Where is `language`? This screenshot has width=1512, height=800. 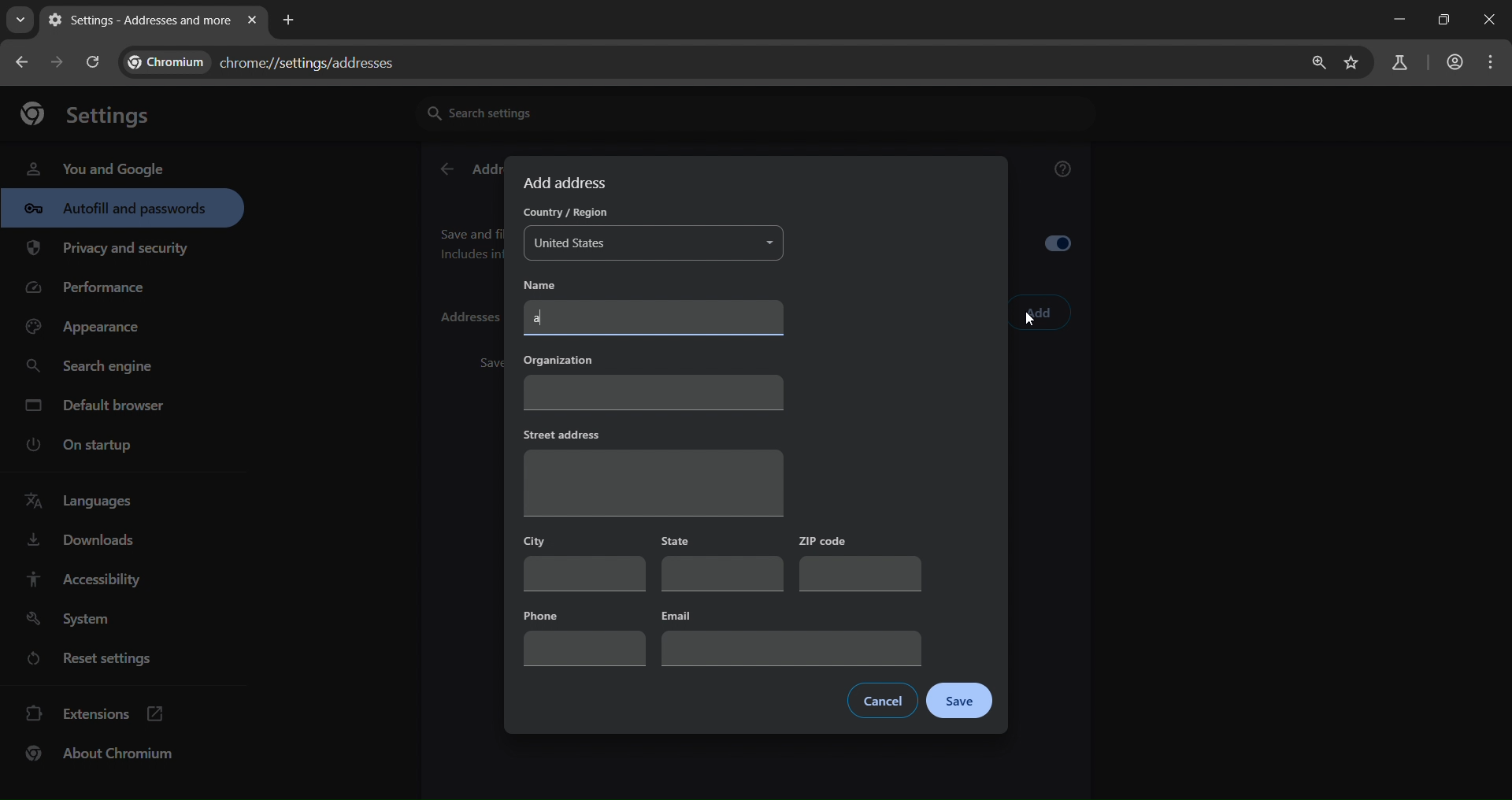 language is located at coordinates (83, 502).